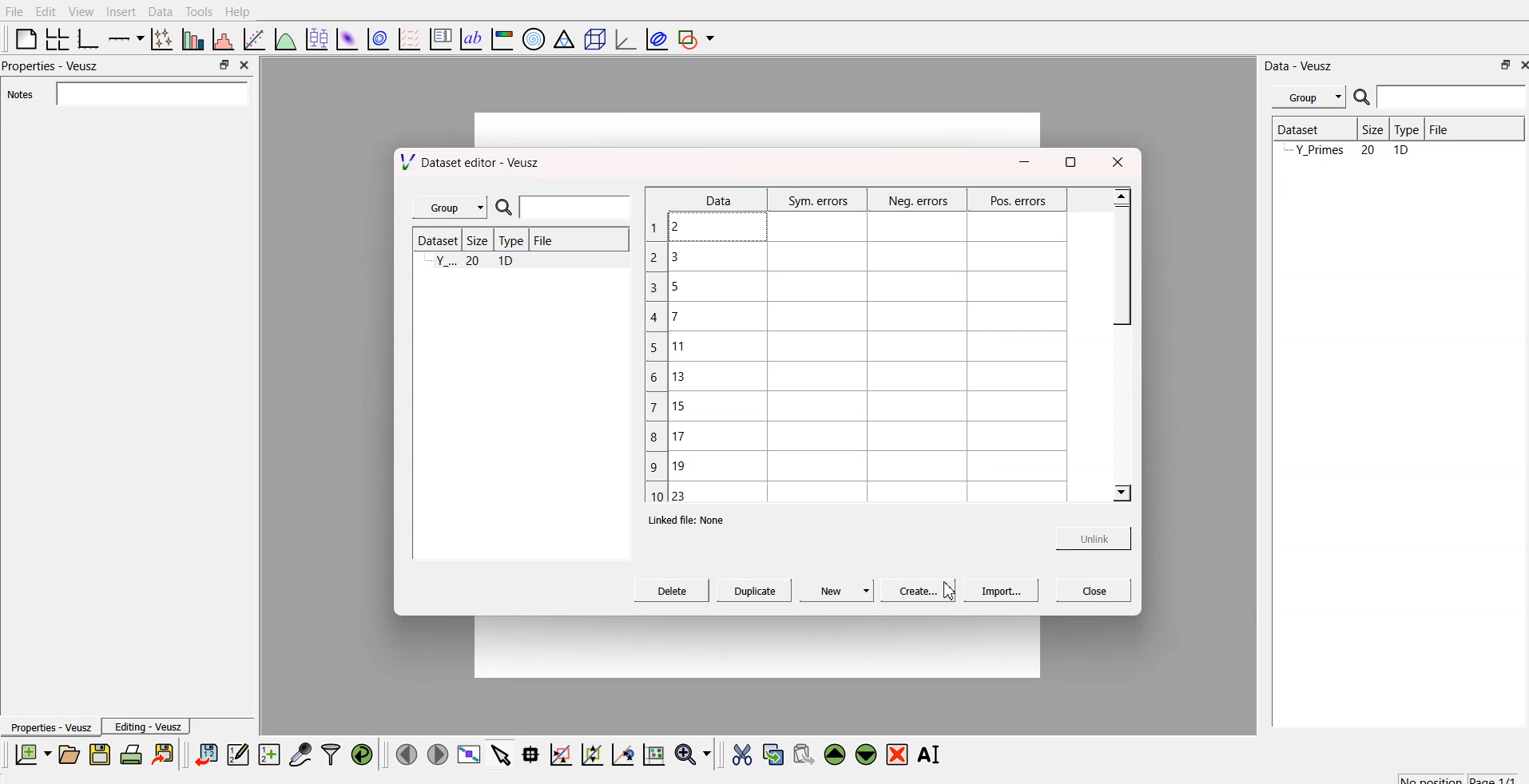 The width and height of the screenshot is (1529, 784). I want to click on save a document, so click(100, 755).